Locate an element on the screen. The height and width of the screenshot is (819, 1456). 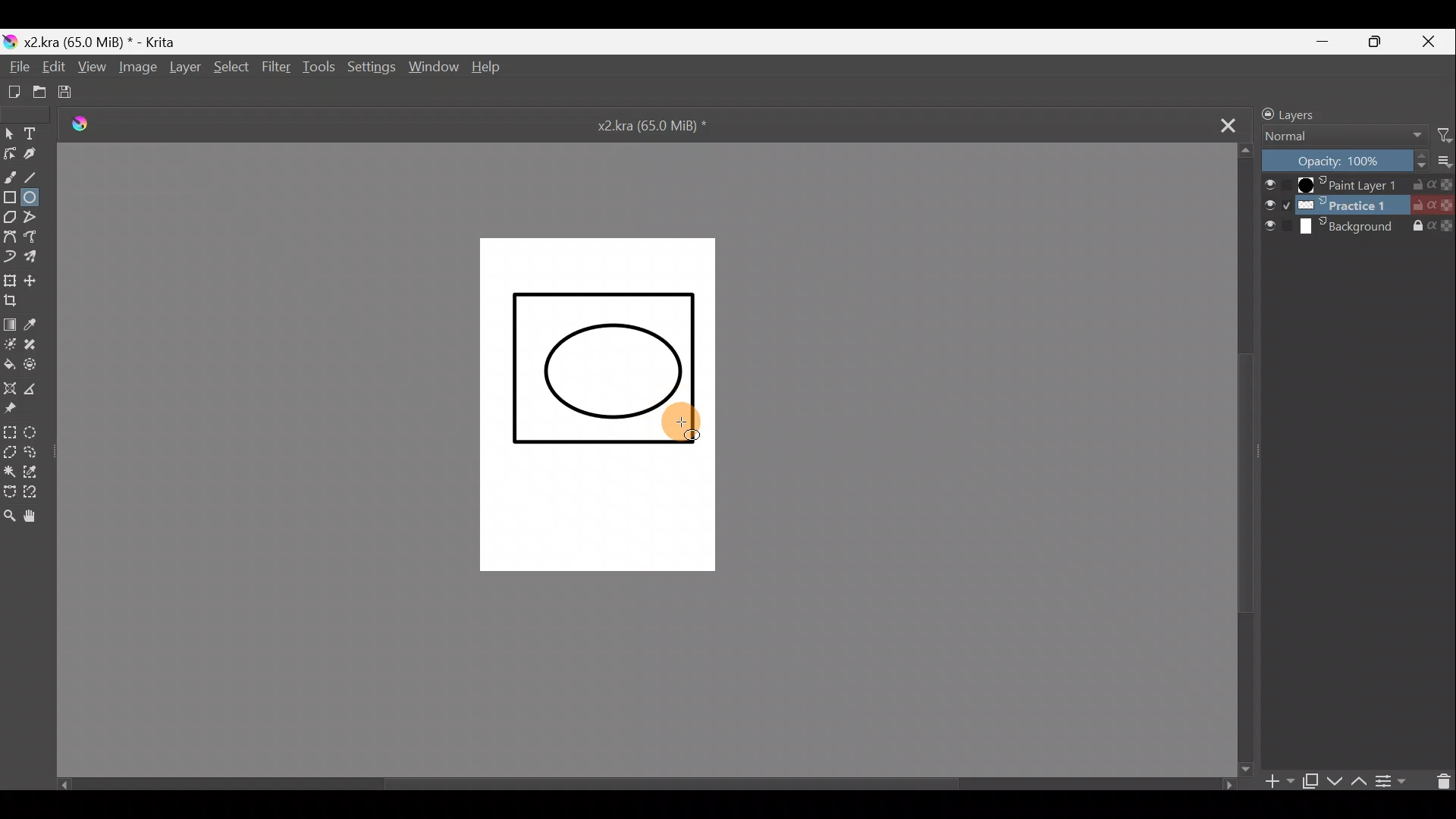
Freehand path tool is located at coordinates (34, 238).